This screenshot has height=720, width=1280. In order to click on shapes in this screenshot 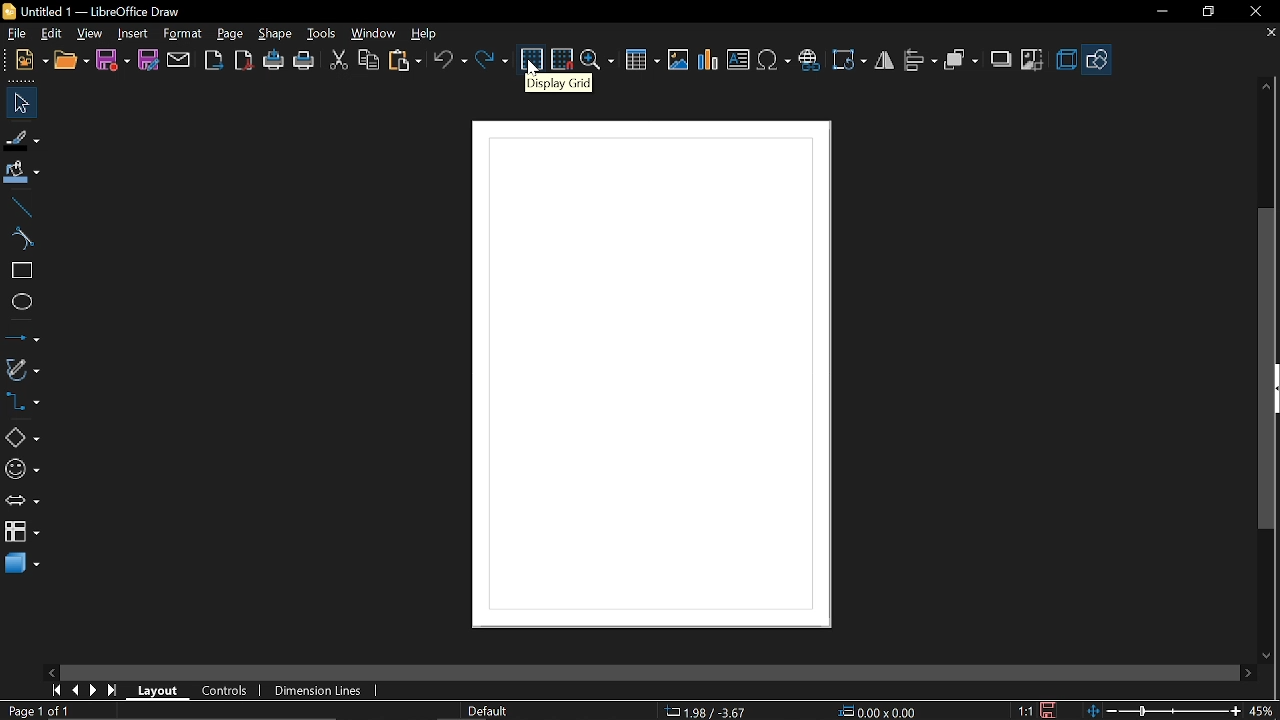, I will do `click(1096, 60)`.